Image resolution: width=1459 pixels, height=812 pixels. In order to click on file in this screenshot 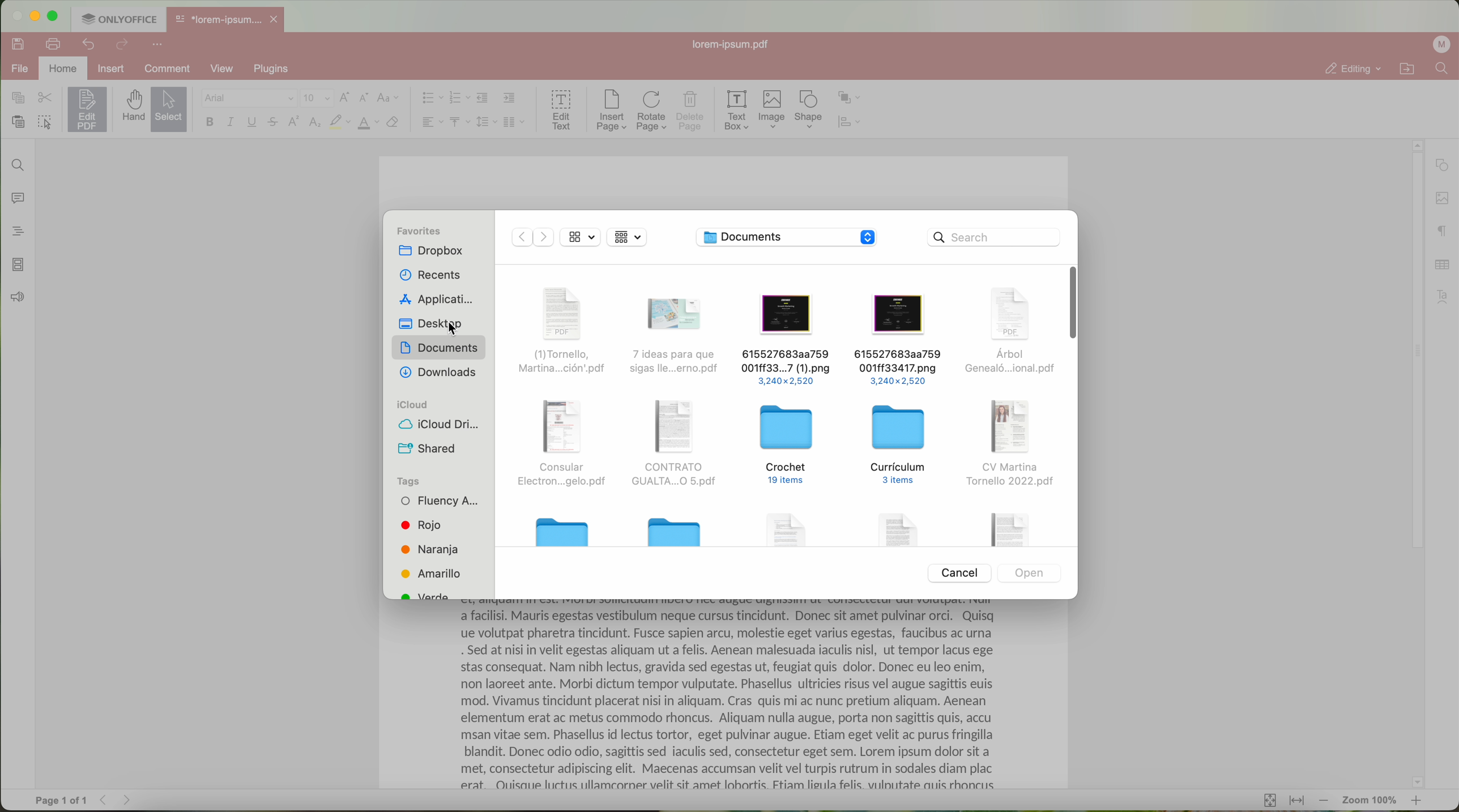, I will do `click(1007, 528)`.